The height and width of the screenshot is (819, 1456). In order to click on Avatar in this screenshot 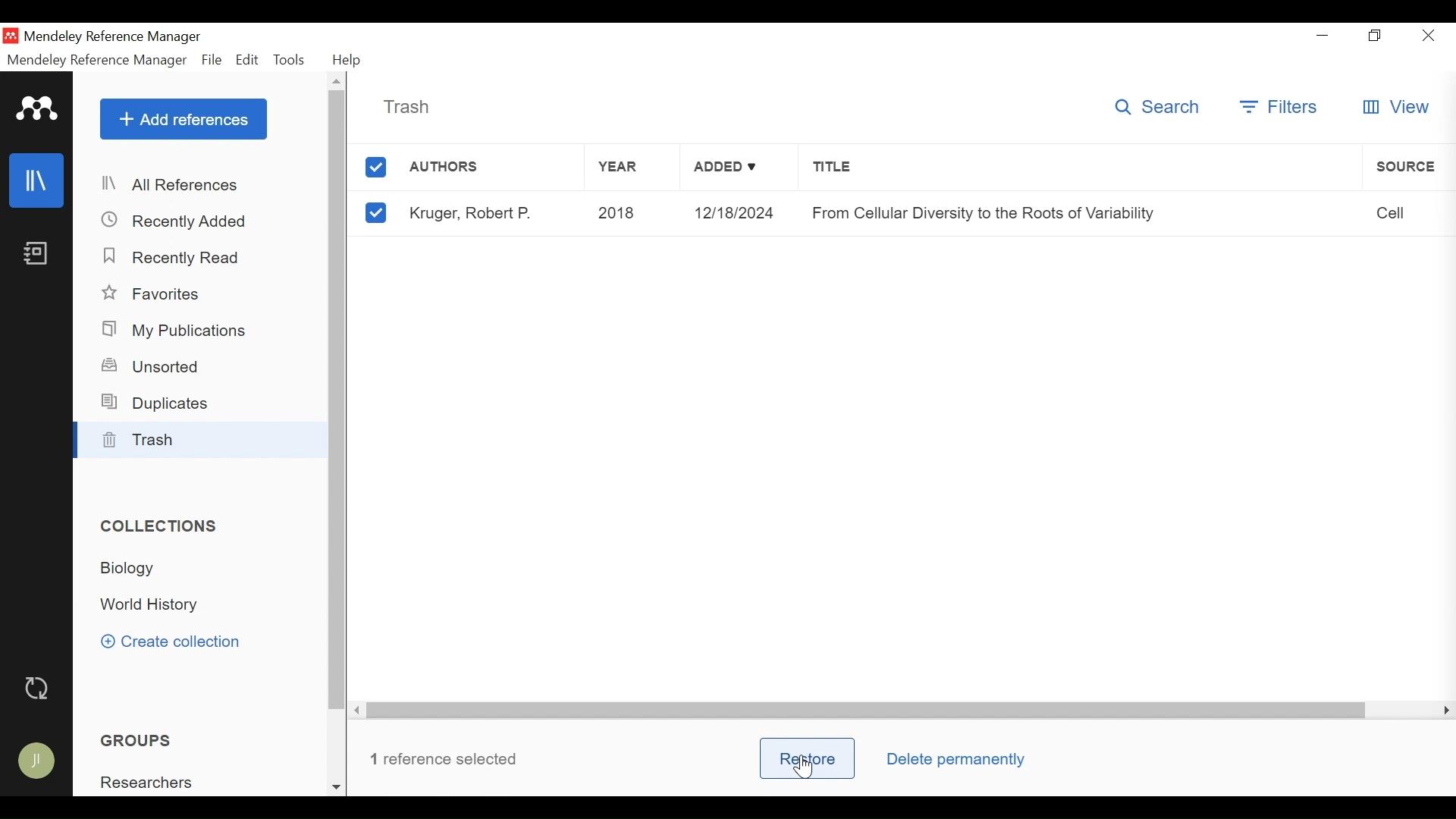, I will do `click(42, 761)`.